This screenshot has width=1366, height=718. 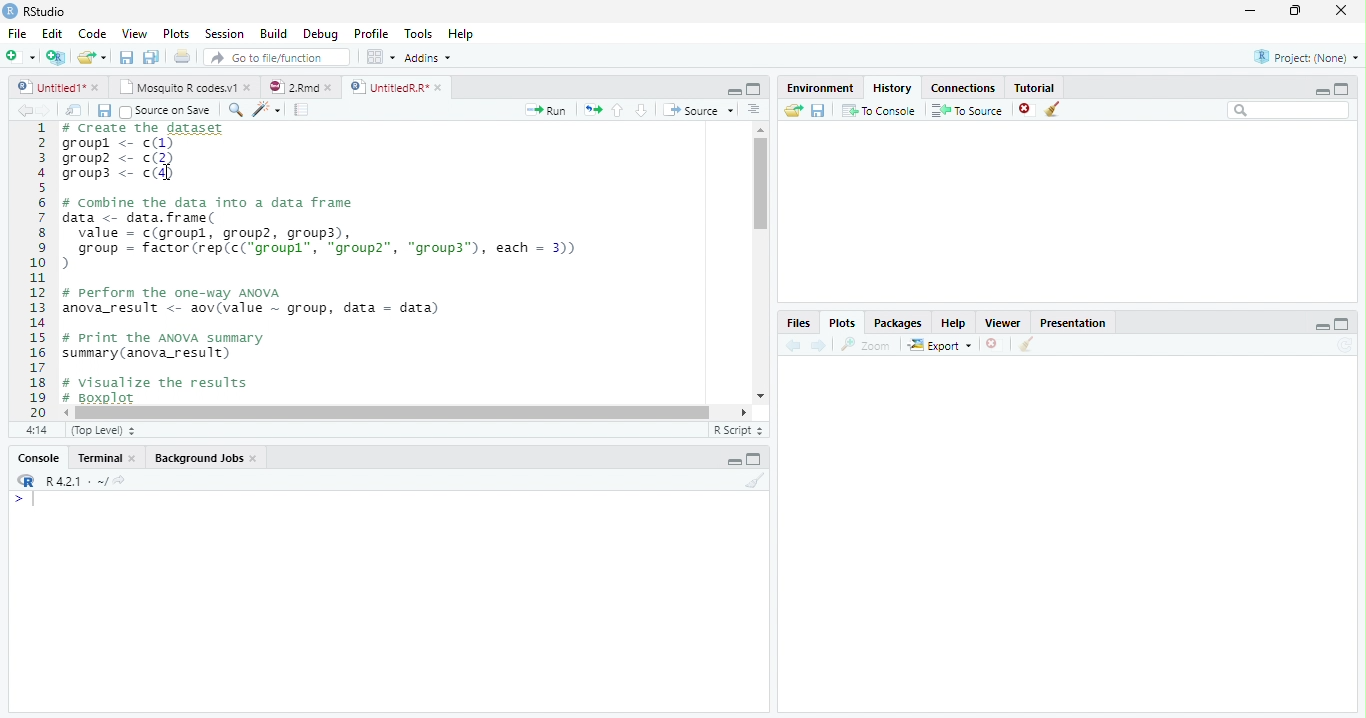 What do you see at coordinates (301, 111) in the screenshot?
I see `Pages` at bounding box center [301, 111].